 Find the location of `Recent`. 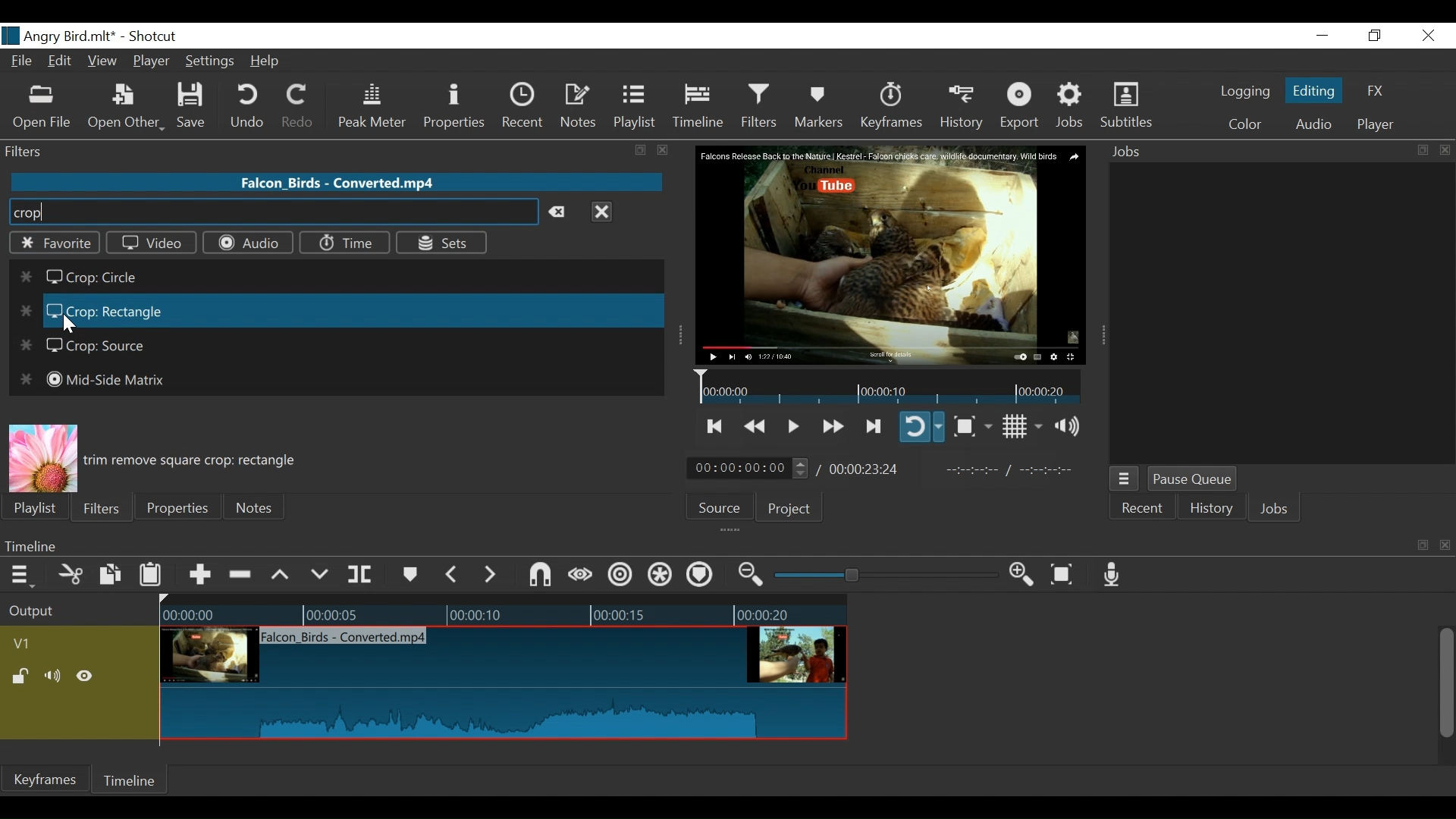

Recent is located at coordinates (526, 106).